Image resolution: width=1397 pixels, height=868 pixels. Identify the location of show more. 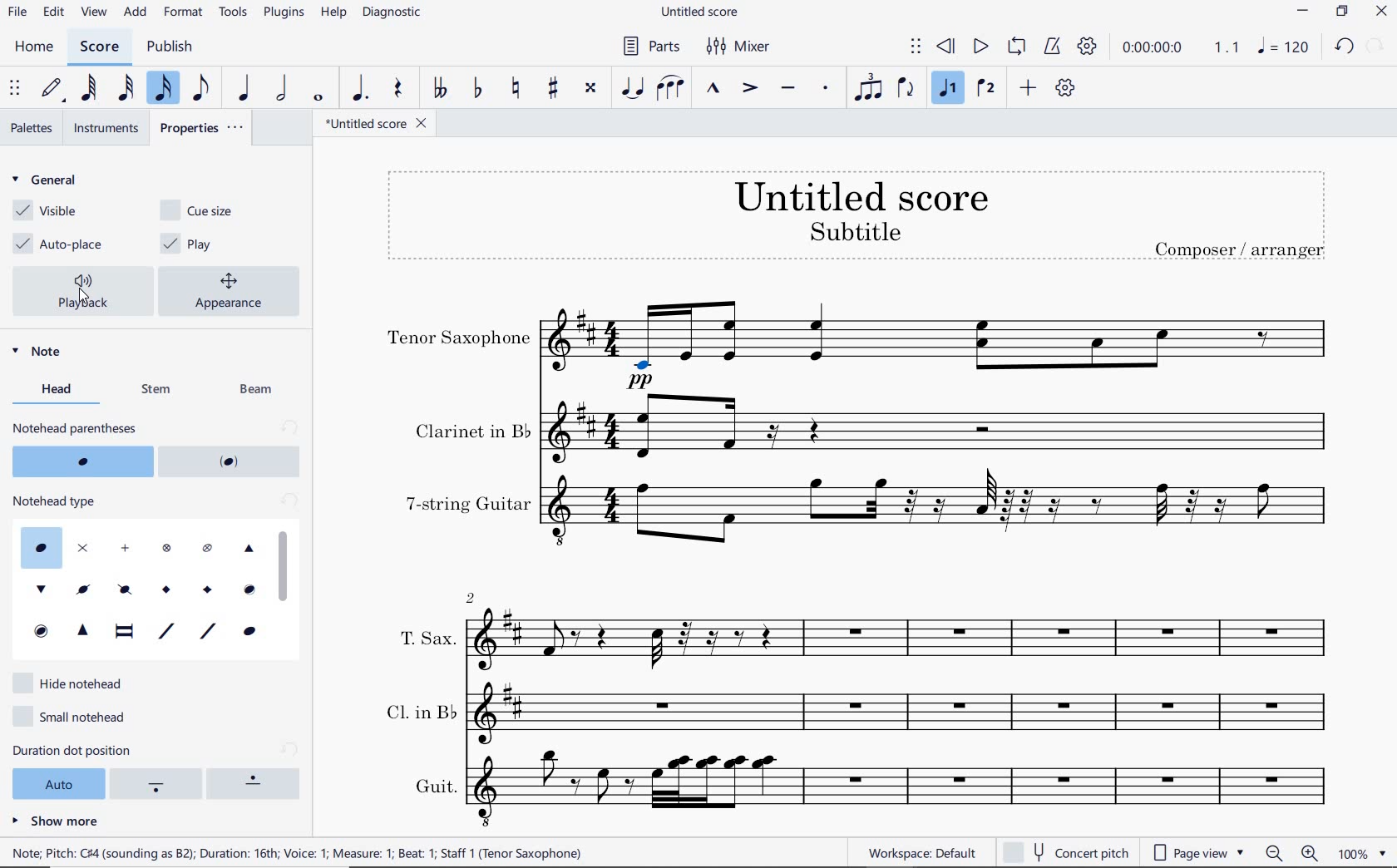
(56, 820).